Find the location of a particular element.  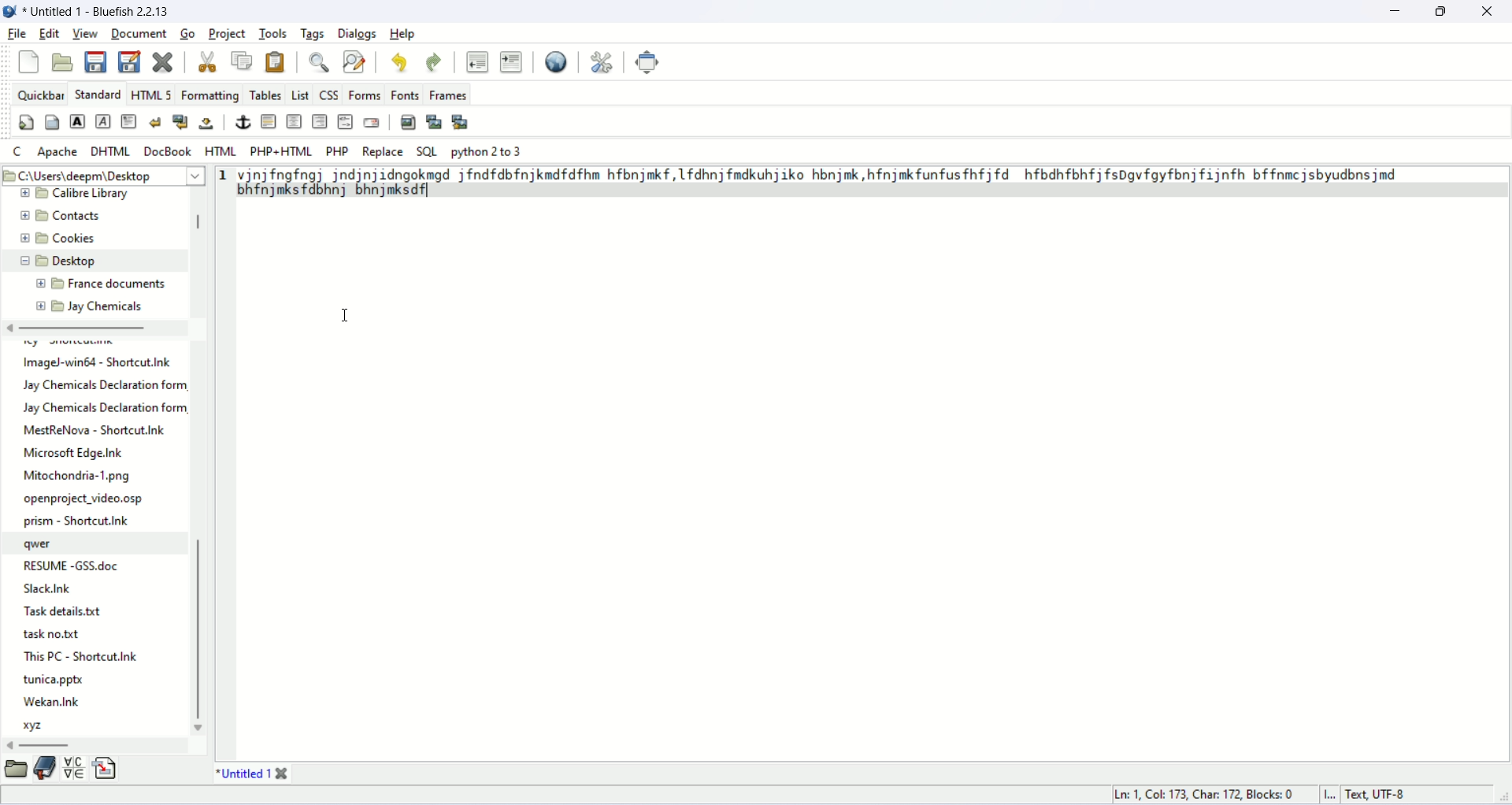

title is located at coordinates (239, 773).